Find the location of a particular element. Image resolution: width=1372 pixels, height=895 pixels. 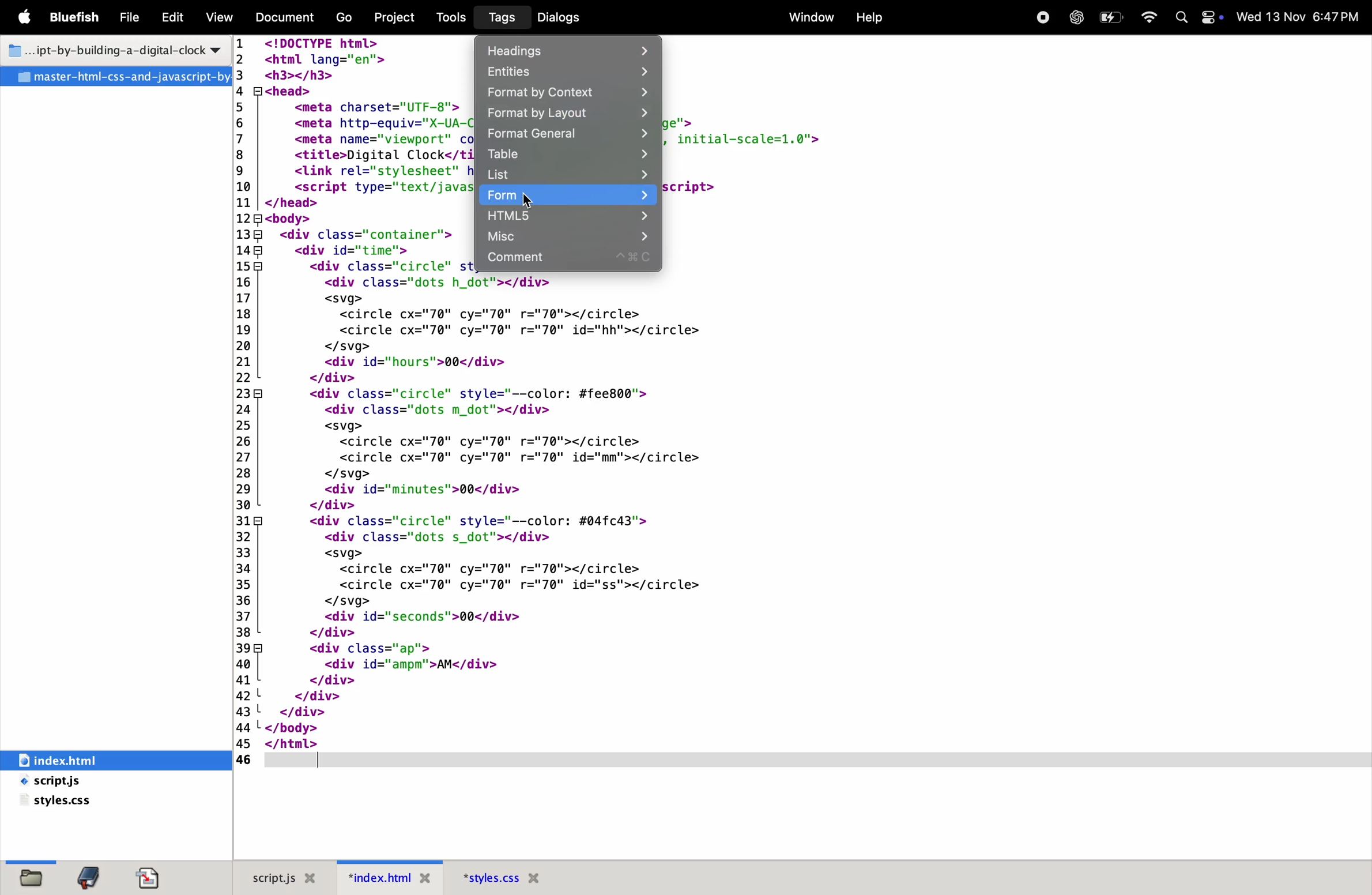

Snippets is located at coordinates (156, 877).